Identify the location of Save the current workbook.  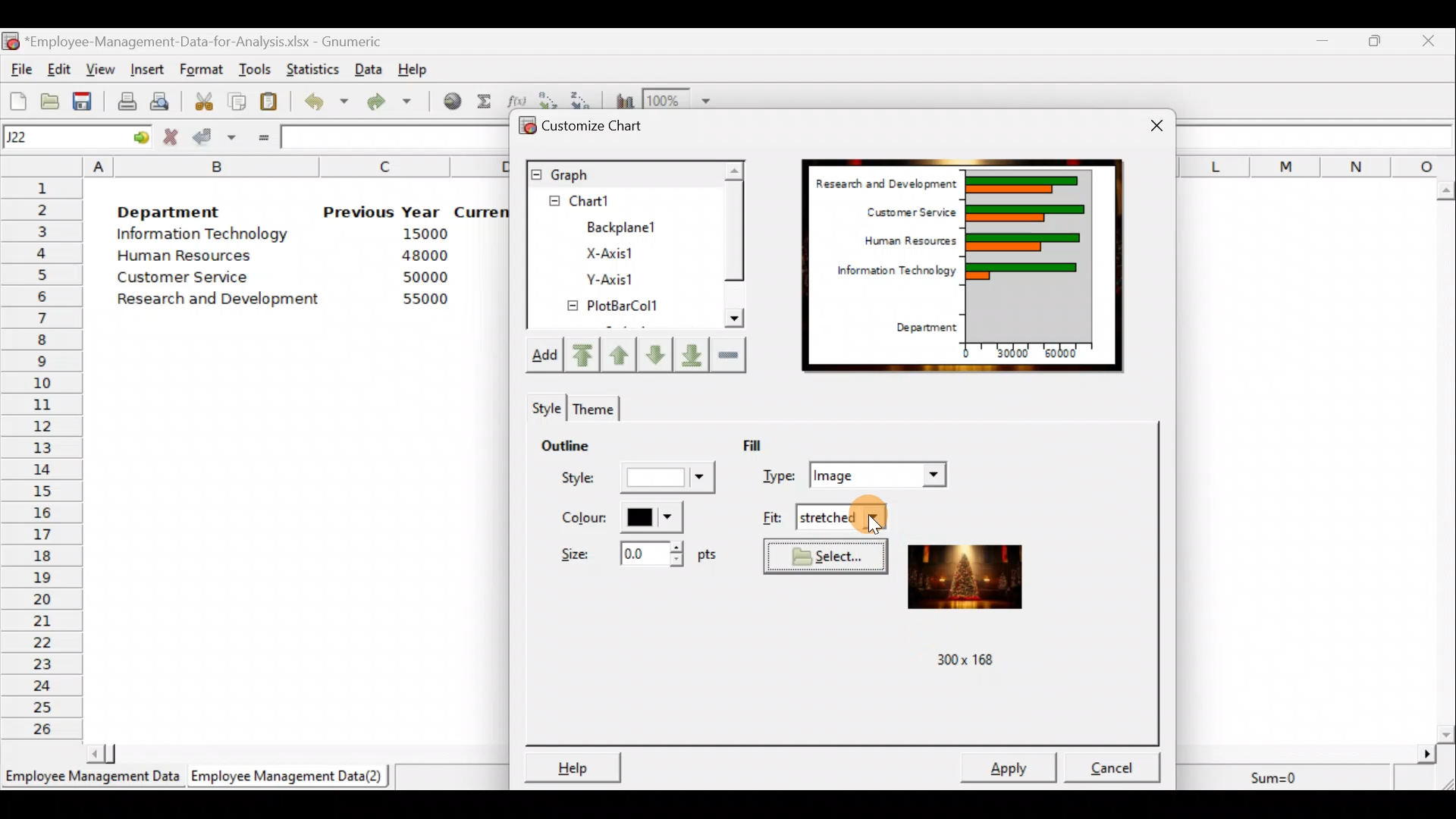
(83, 99).